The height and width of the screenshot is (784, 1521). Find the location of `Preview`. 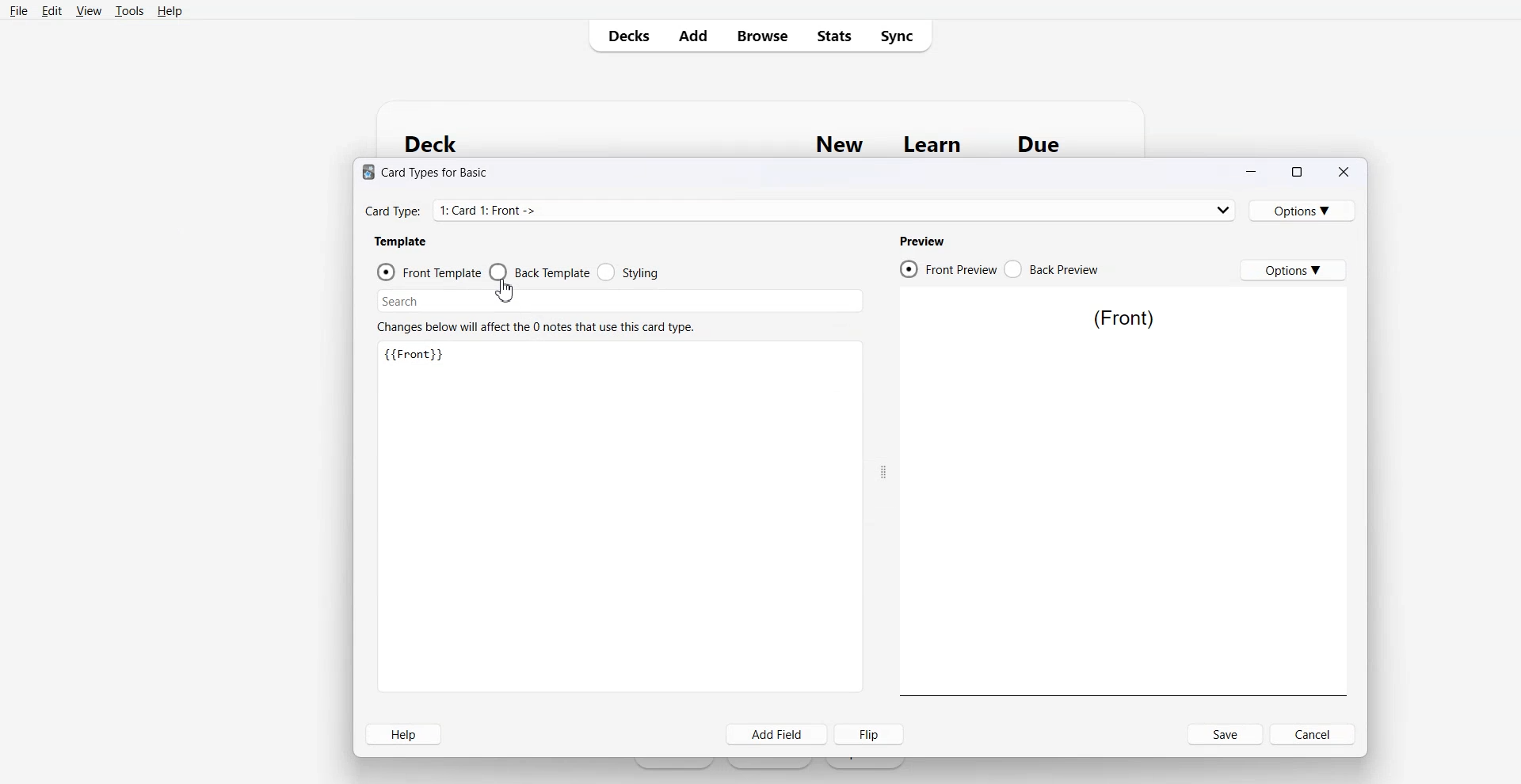

Preview is located at coordinates (924, 242).